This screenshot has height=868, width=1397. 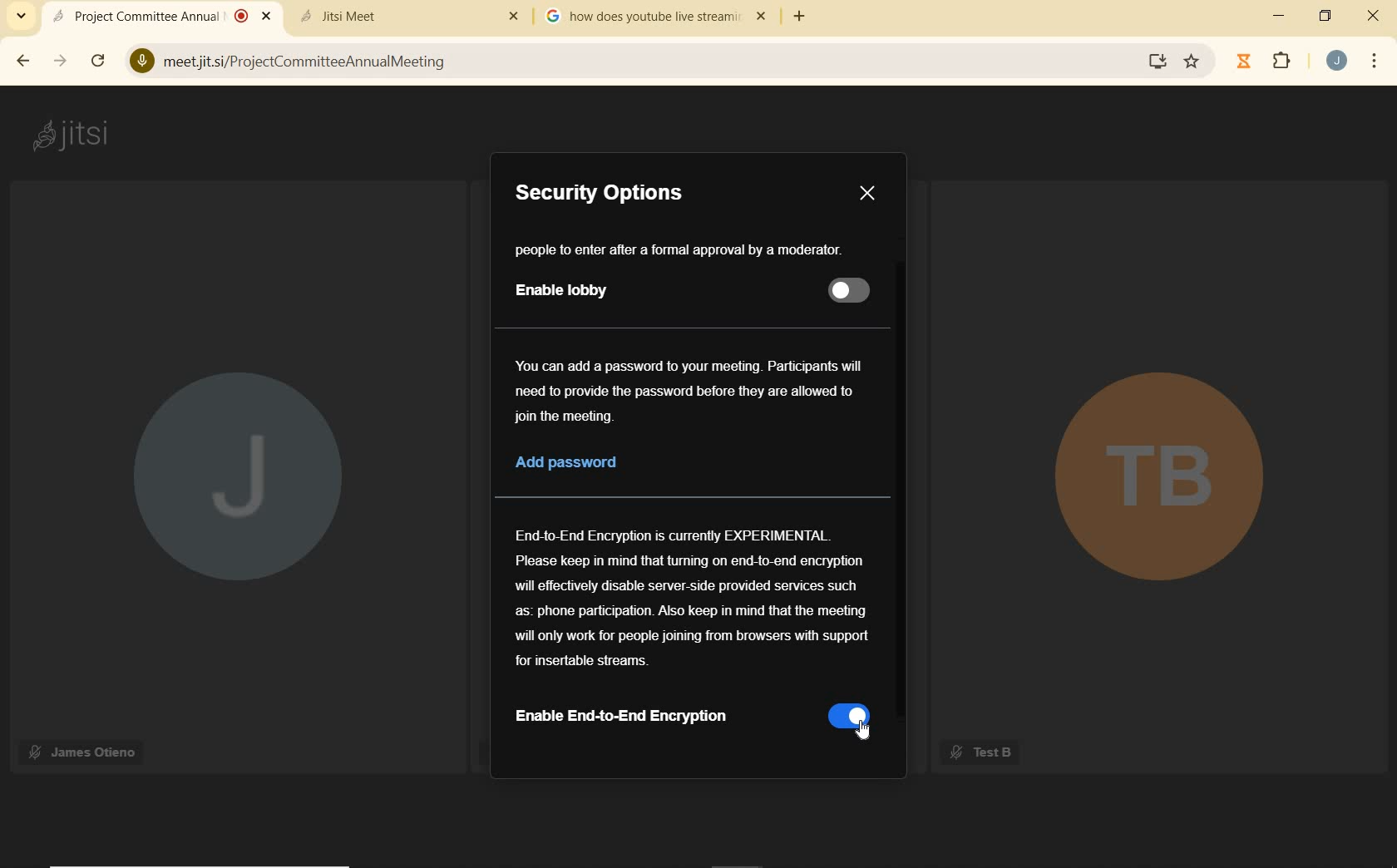 I want to click on slider, so click(x=850, y=288).